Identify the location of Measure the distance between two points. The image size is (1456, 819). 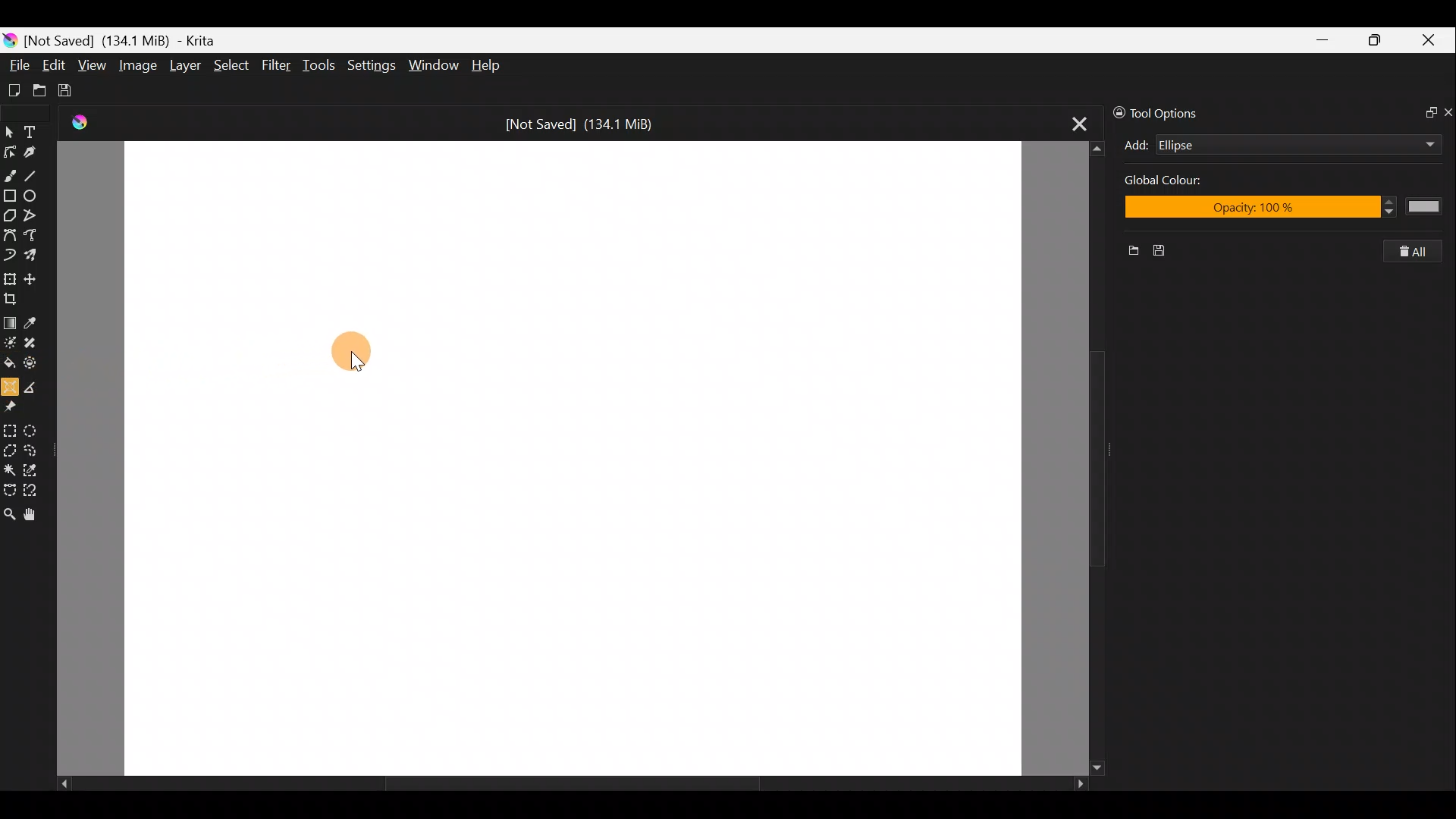
(36, 386).